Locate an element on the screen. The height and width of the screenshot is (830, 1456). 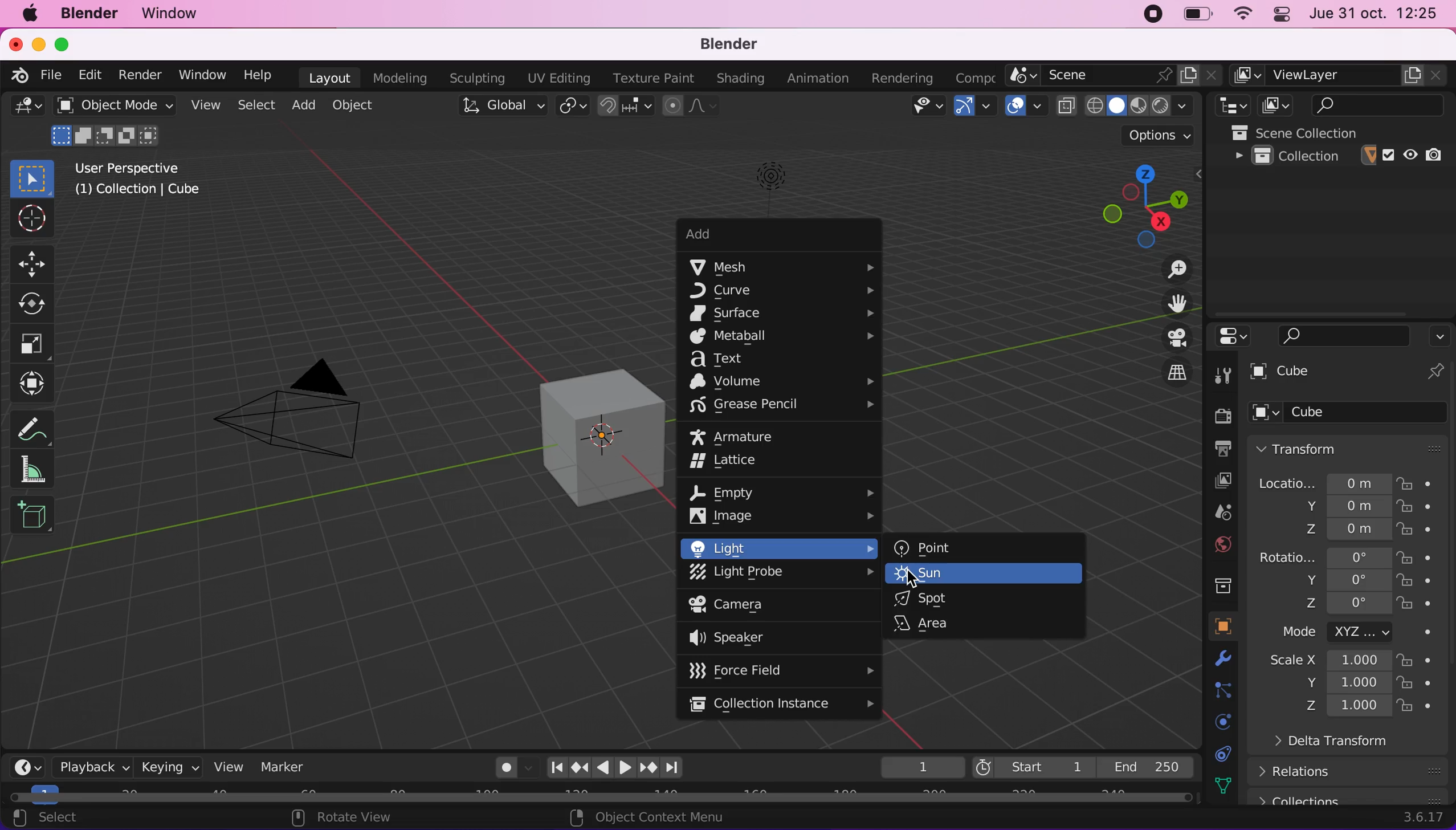
minimize is located at coordinates (38, 45).